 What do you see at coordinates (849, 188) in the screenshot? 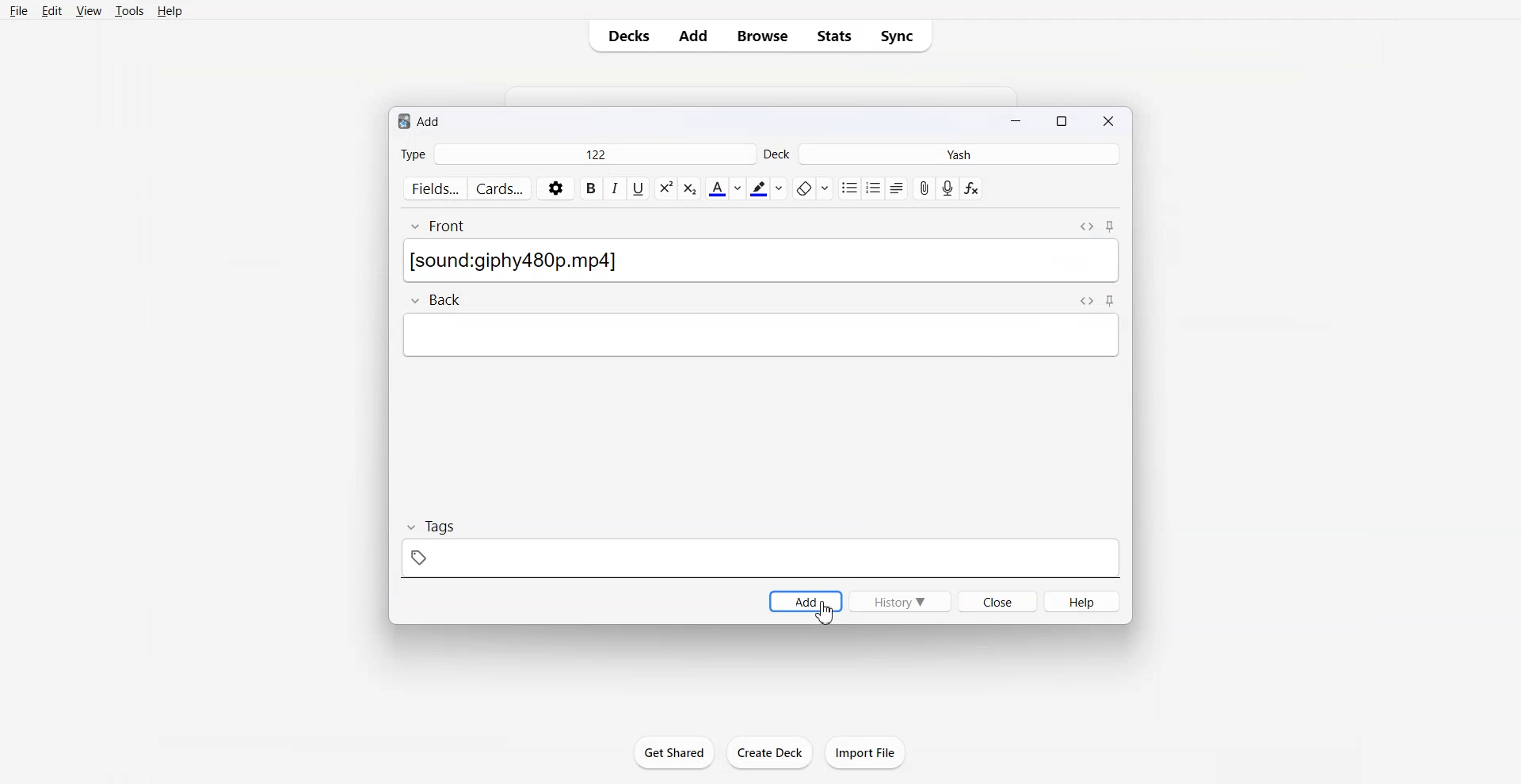
I see `Unordered list` at bounding box center [849, 188].